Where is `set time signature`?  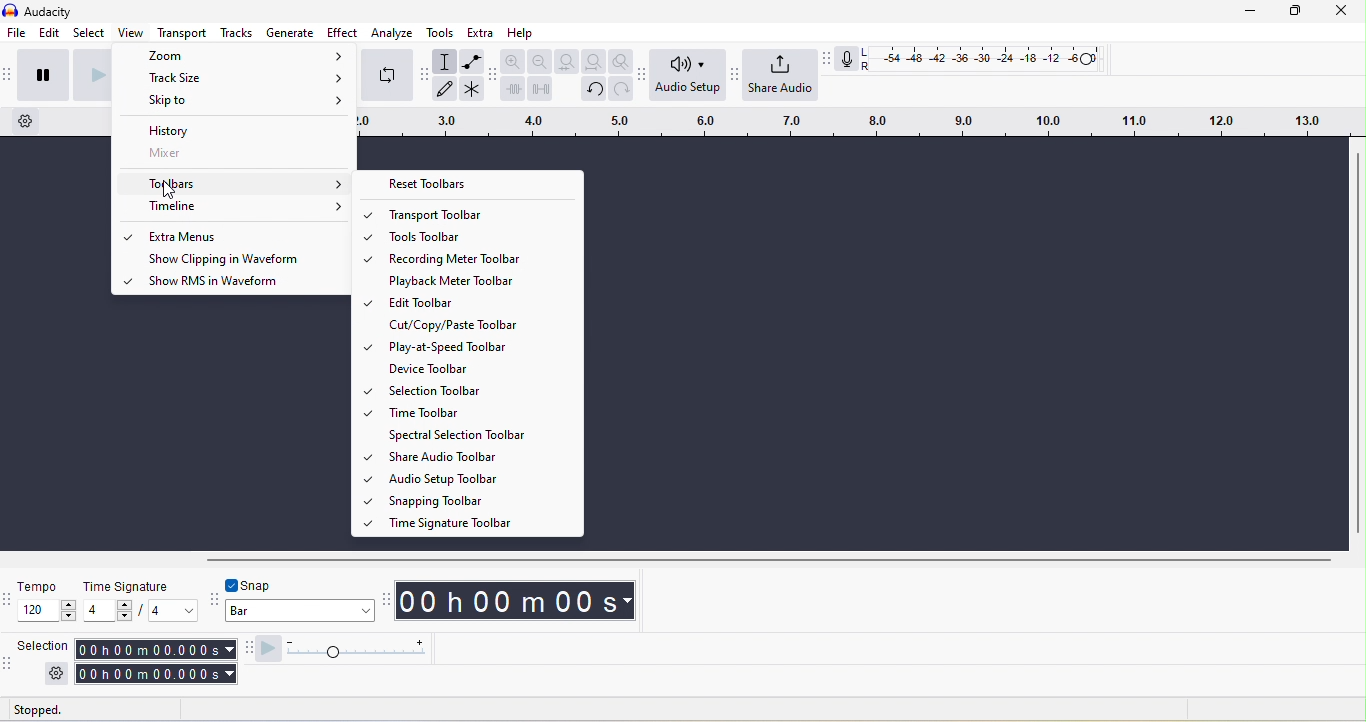
set time signature is located at coordinates (174, 610).